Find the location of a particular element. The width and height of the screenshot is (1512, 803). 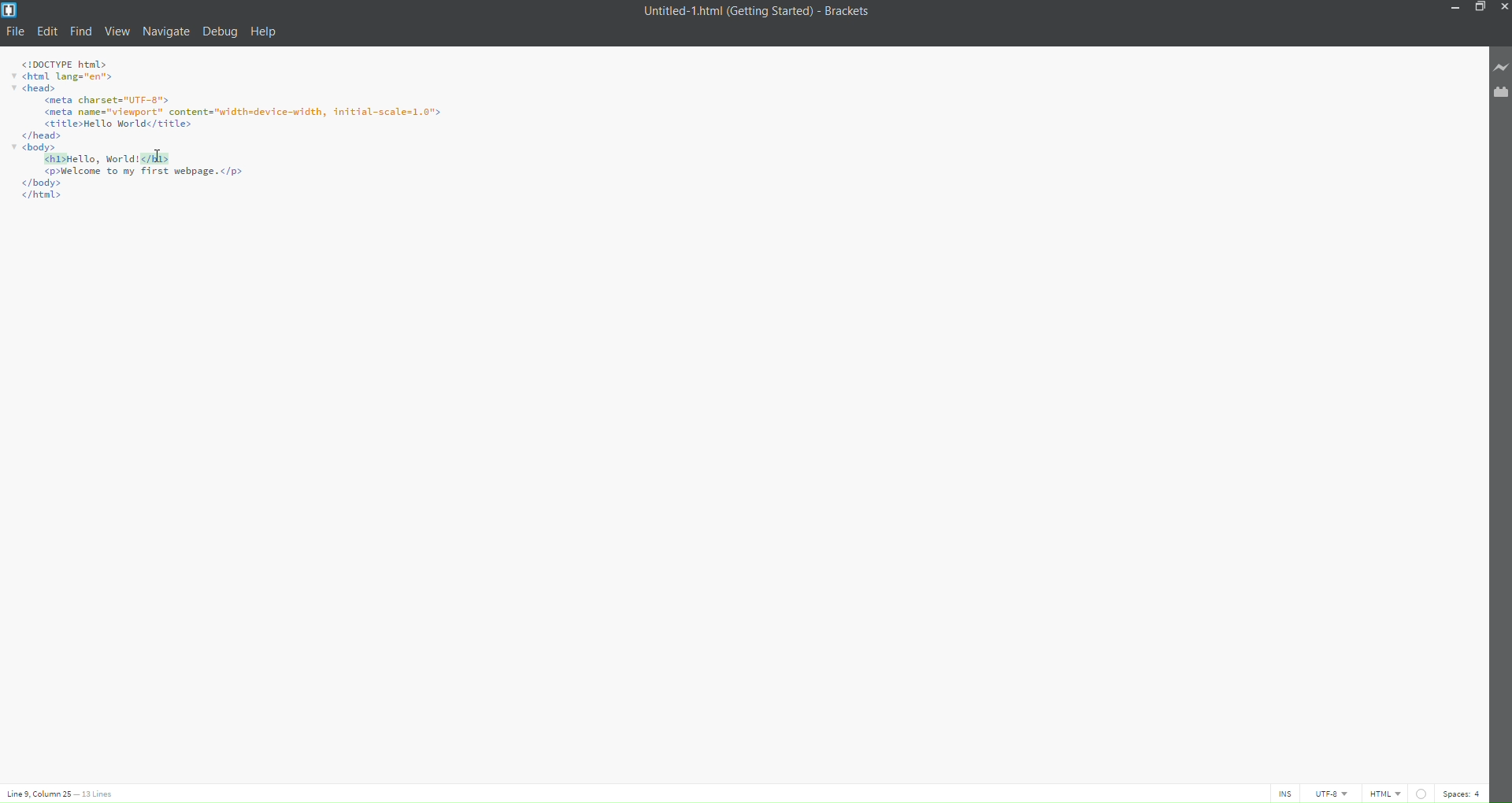

Cursor is located at coordinates (157, 156).